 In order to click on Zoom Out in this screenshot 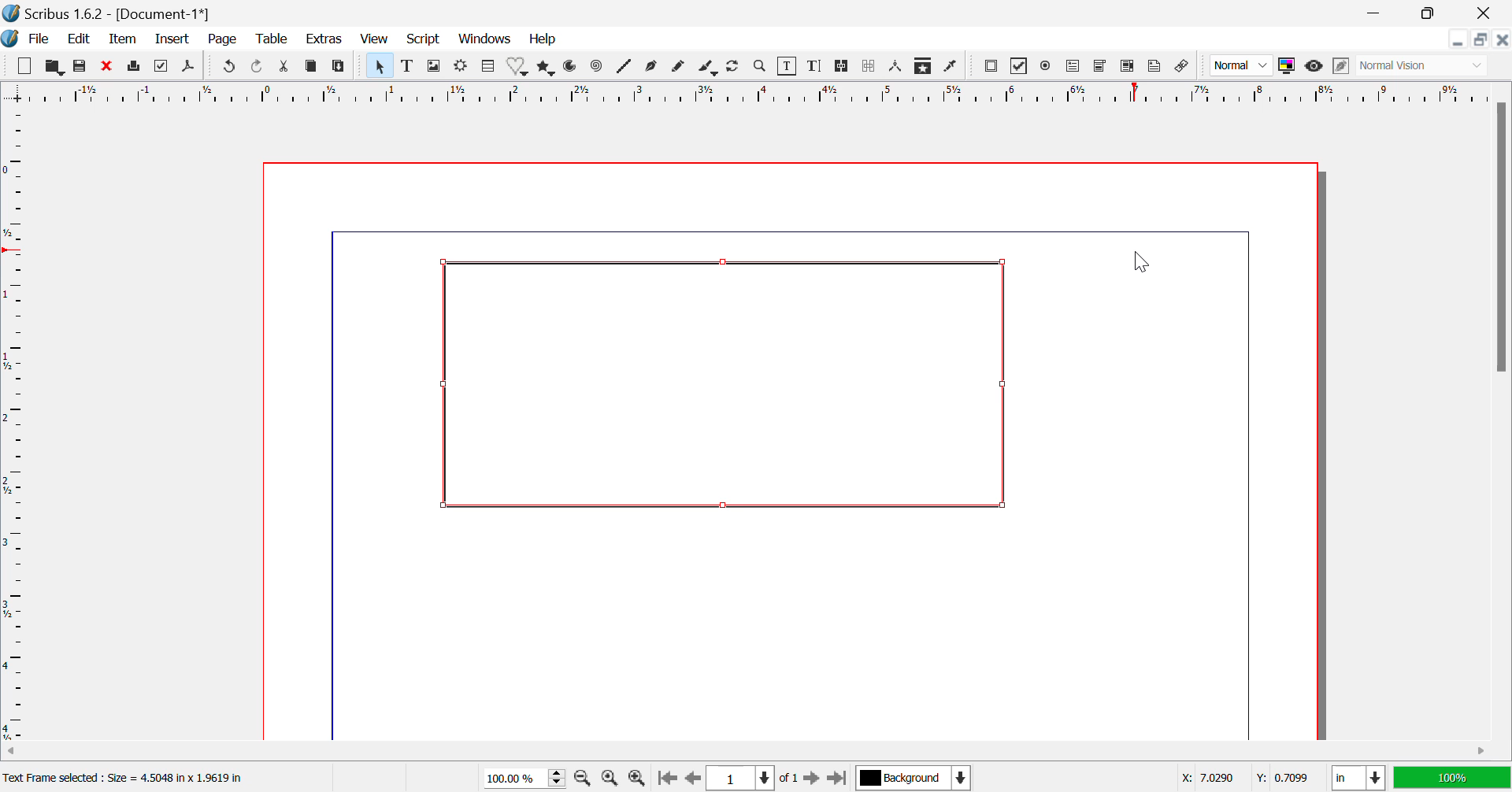, I will do `click(584, 779)`.